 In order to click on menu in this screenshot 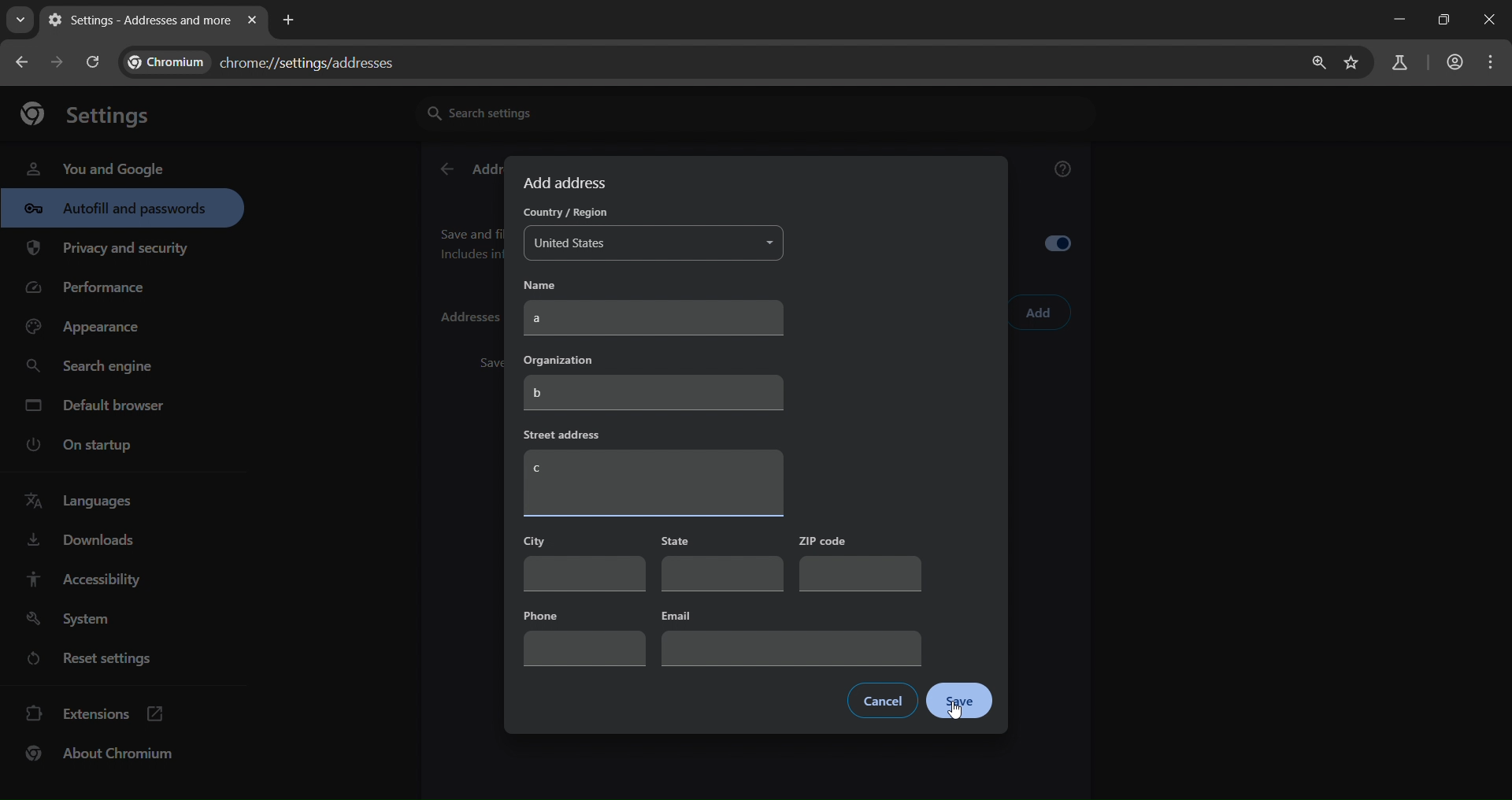, I will do `click(1495, 62)`.